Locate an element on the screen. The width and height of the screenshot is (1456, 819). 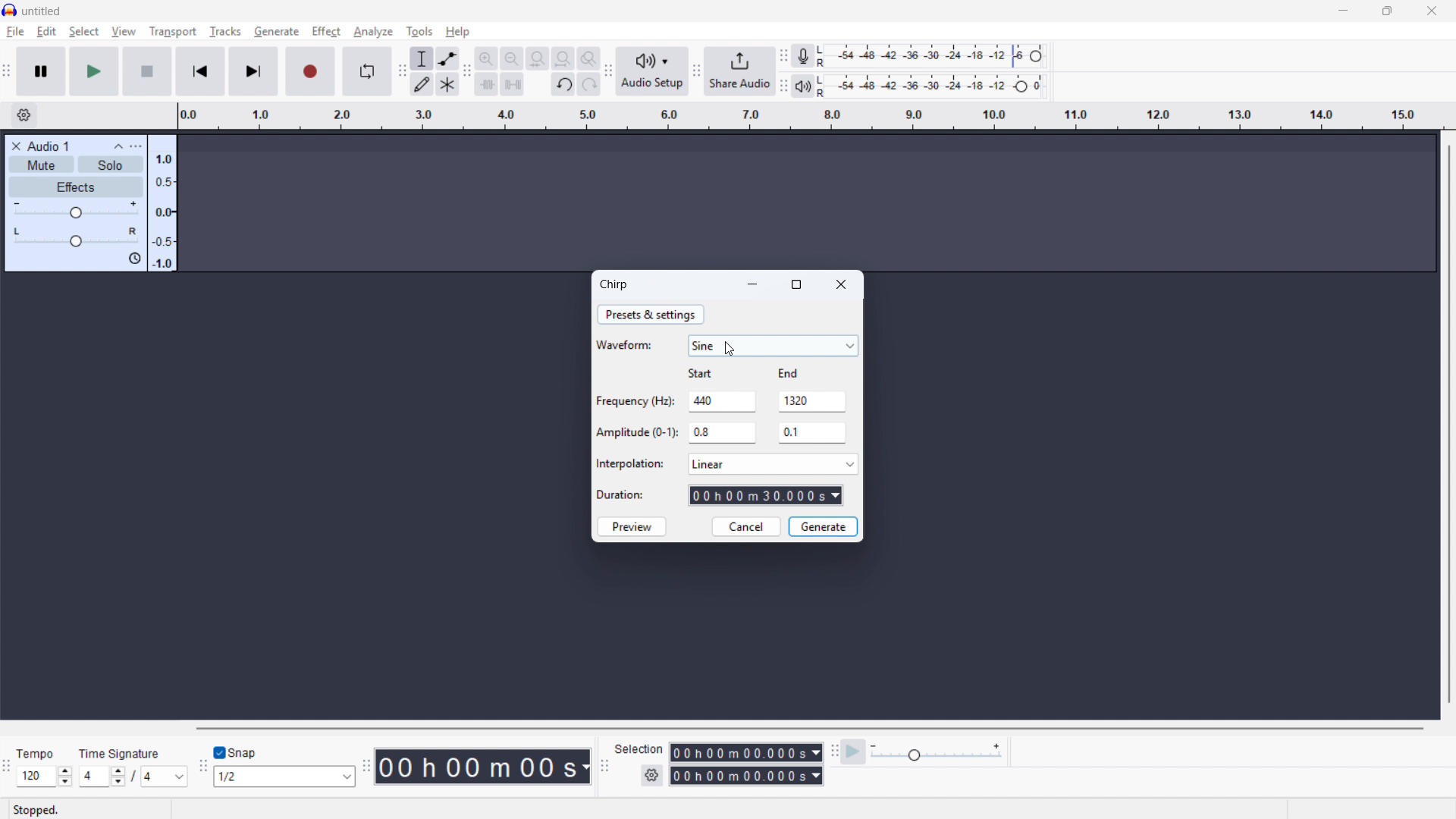
Redo  is located at coordinates (588, 85).